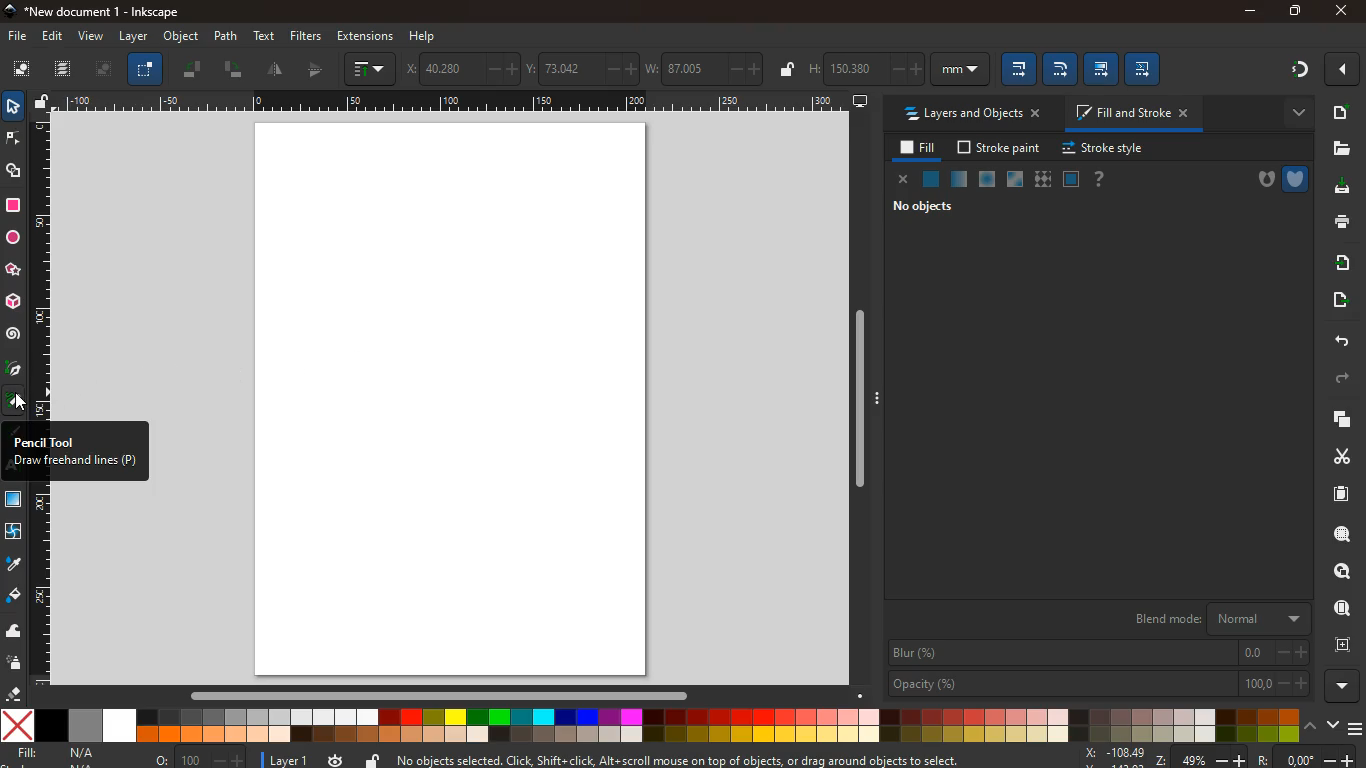  What do you see at coordinates (1290, 10) in the screenshot?
I see `maximize` at bounding box center [1290, 10].